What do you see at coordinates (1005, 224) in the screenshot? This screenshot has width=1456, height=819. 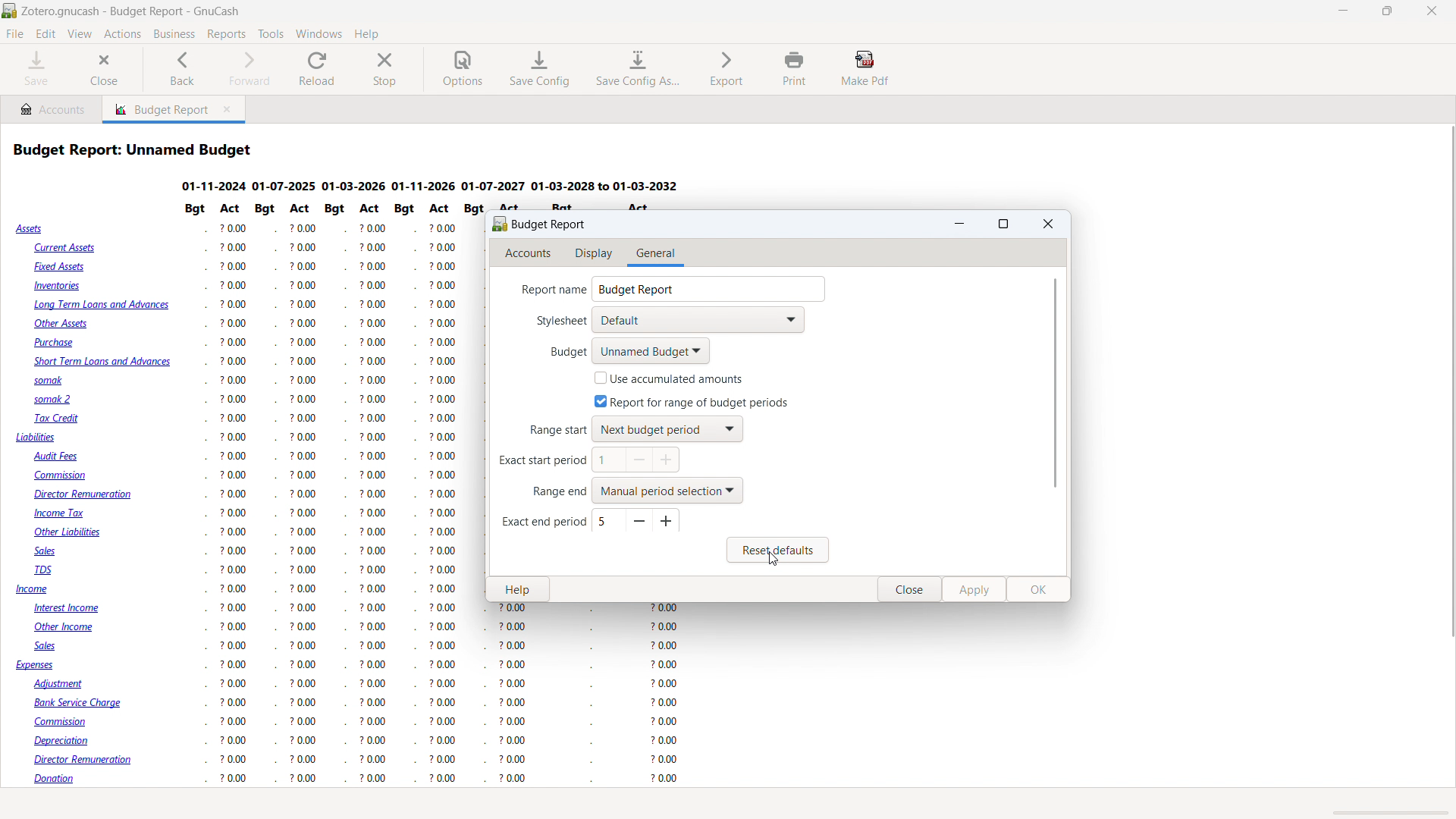 I see `maximize` at bounding box center [1005, 224].